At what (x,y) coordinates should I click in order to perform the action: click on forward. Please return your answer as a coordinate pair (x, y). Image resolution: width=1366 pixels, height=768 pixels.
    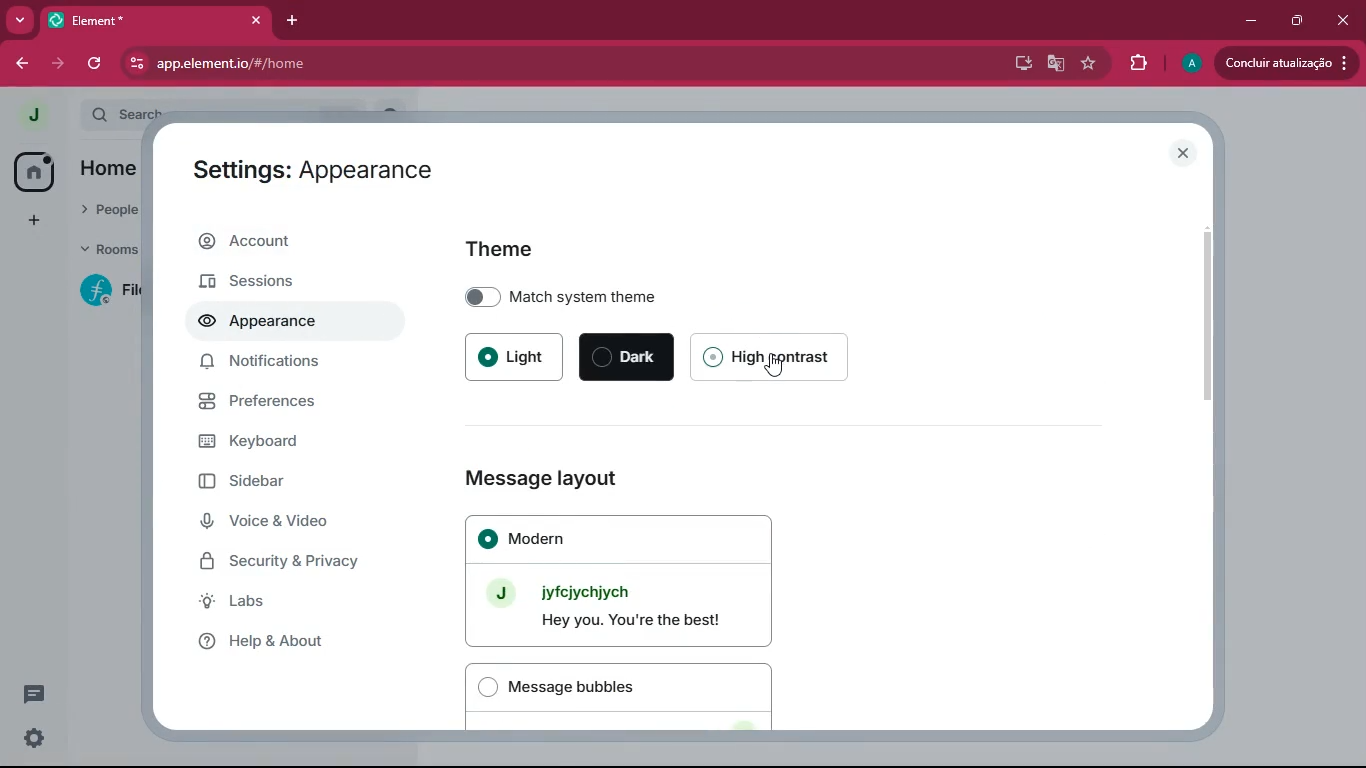
    Looking at the image, I should click on (55, 64).